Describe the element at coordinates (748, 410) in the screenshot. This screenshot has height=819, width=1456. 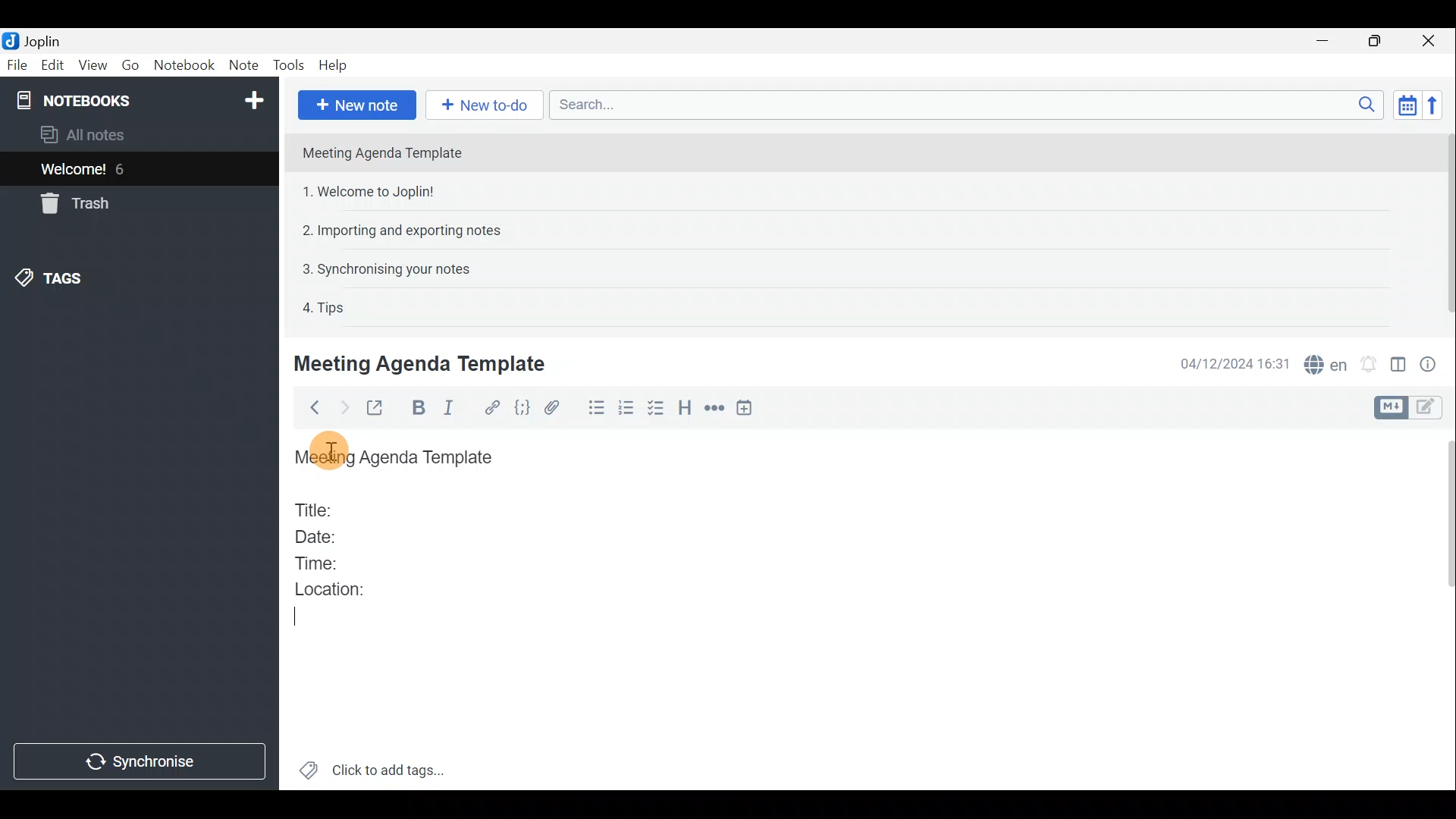
I see `Insert time` at that location.